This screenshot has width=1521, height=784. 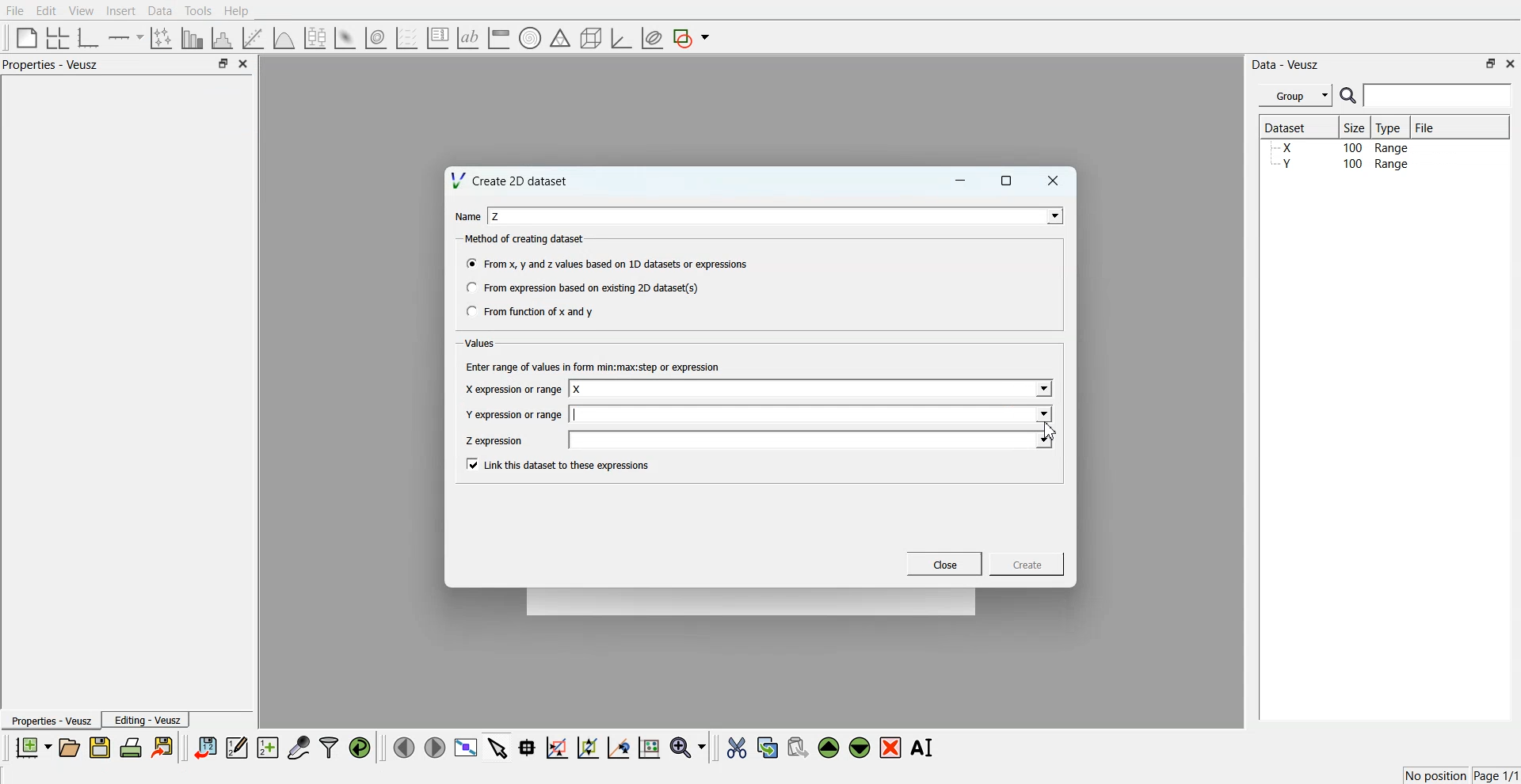 What do you see at coordinates (82, 11) in the screenshot?
I see `View` at bounding box center [82, 11].